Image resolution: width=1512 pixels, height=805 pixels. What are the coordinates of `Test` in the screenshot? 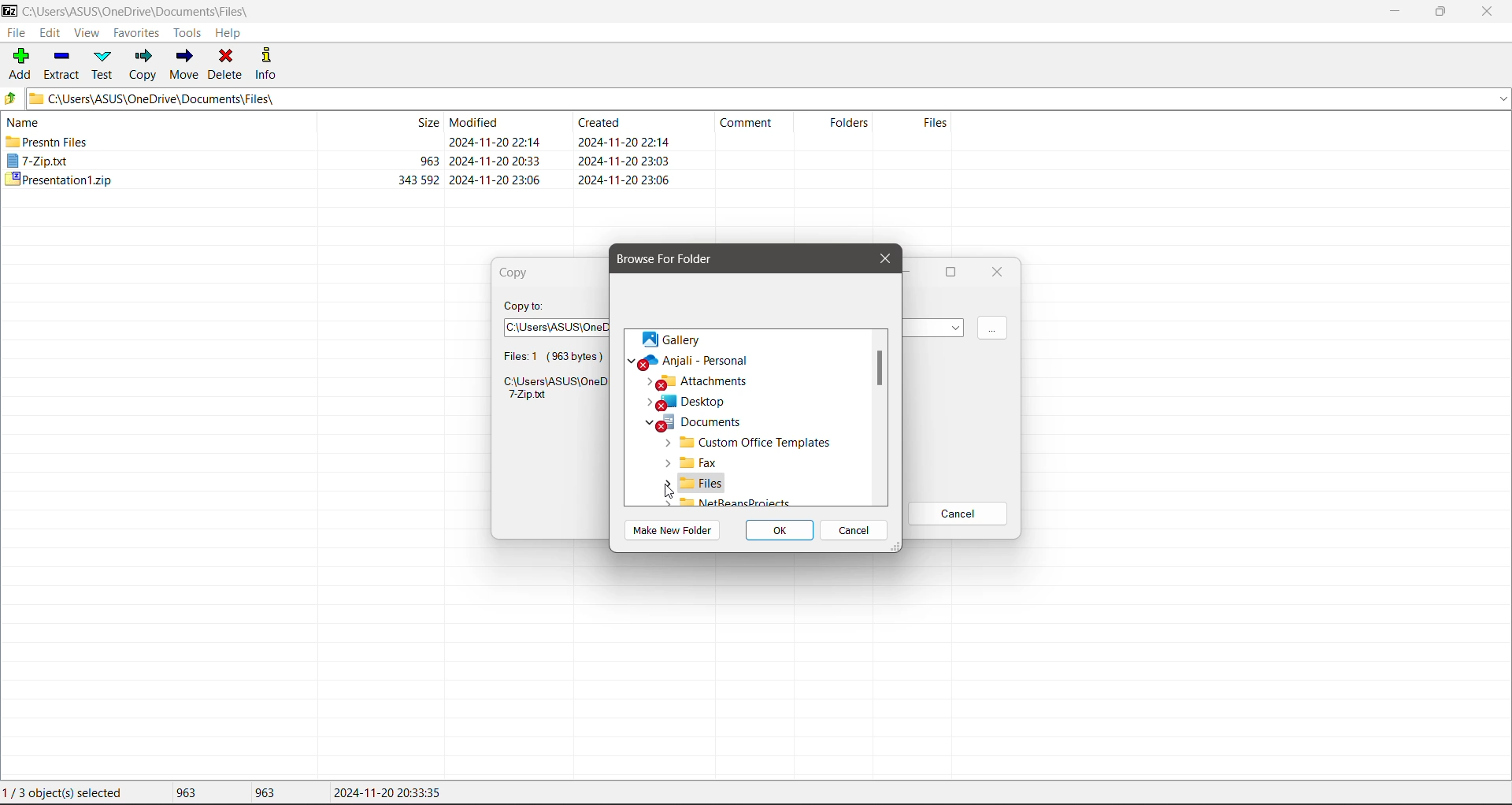 It's located at (104, 65).